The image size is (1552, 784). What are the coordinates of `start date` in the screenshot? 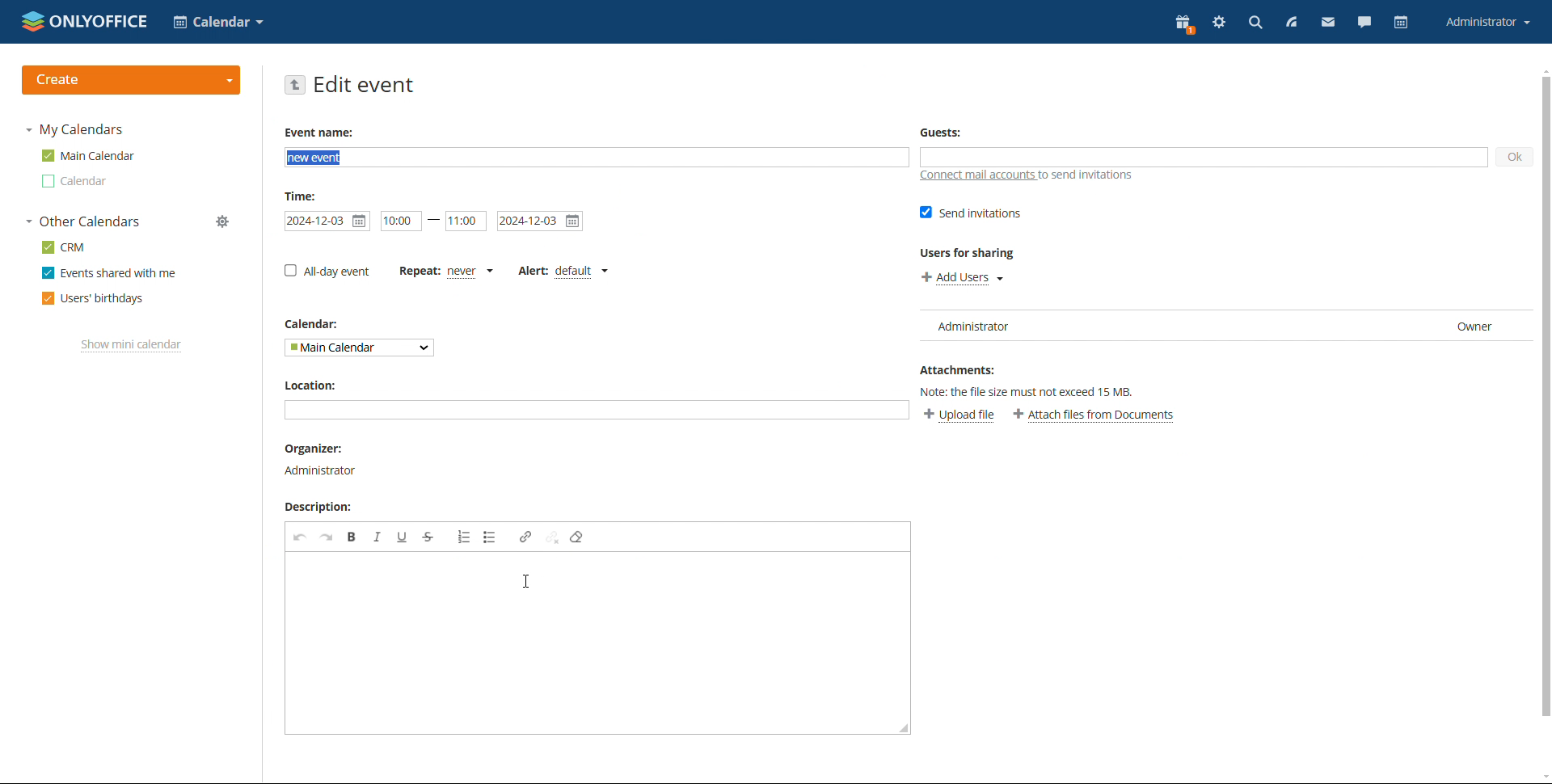 It's located at (400, 221).